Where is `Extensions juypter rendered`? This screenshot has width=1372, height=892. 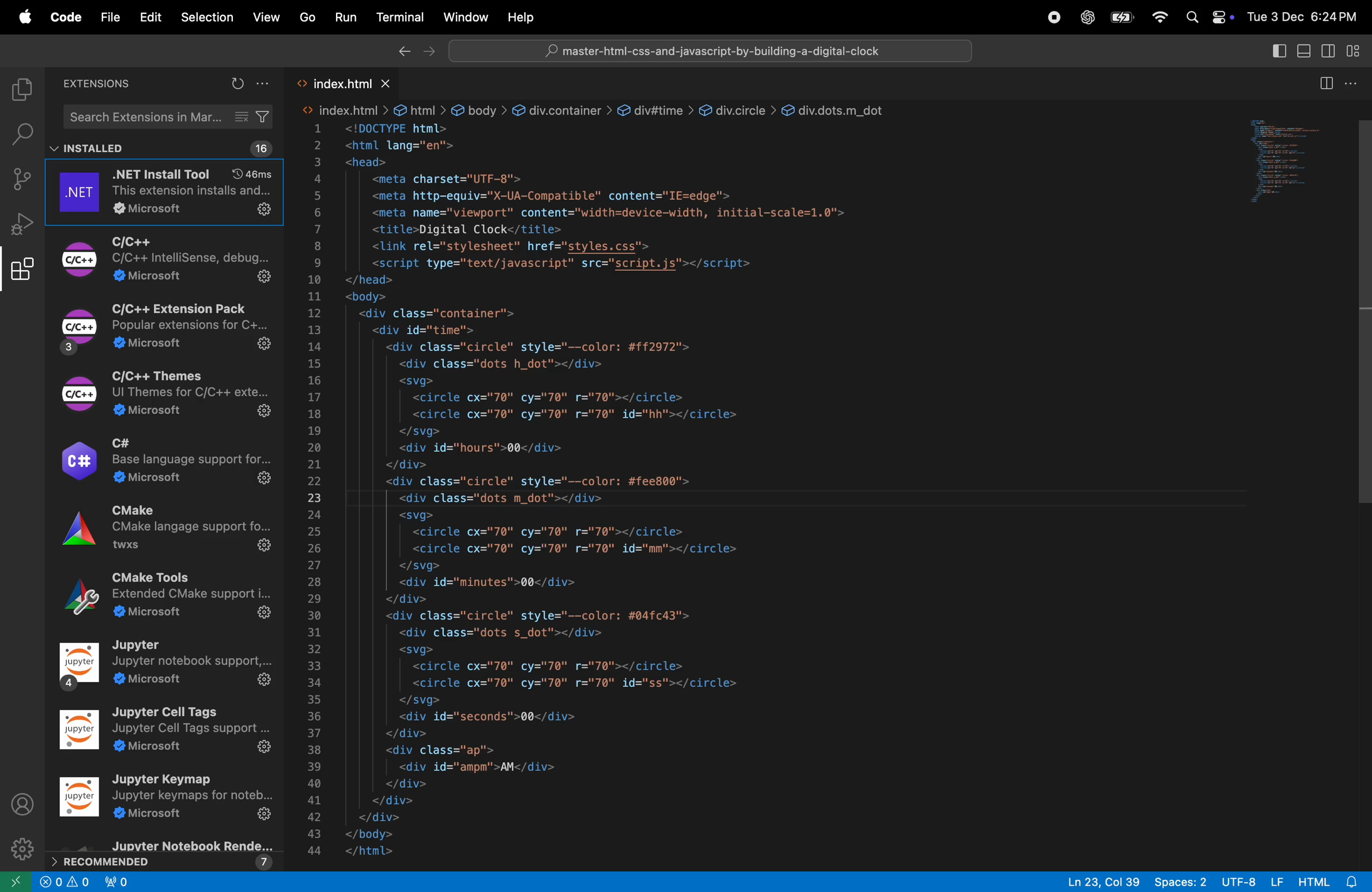 Extensions juypter rendered is located at coordinates (186, 843).